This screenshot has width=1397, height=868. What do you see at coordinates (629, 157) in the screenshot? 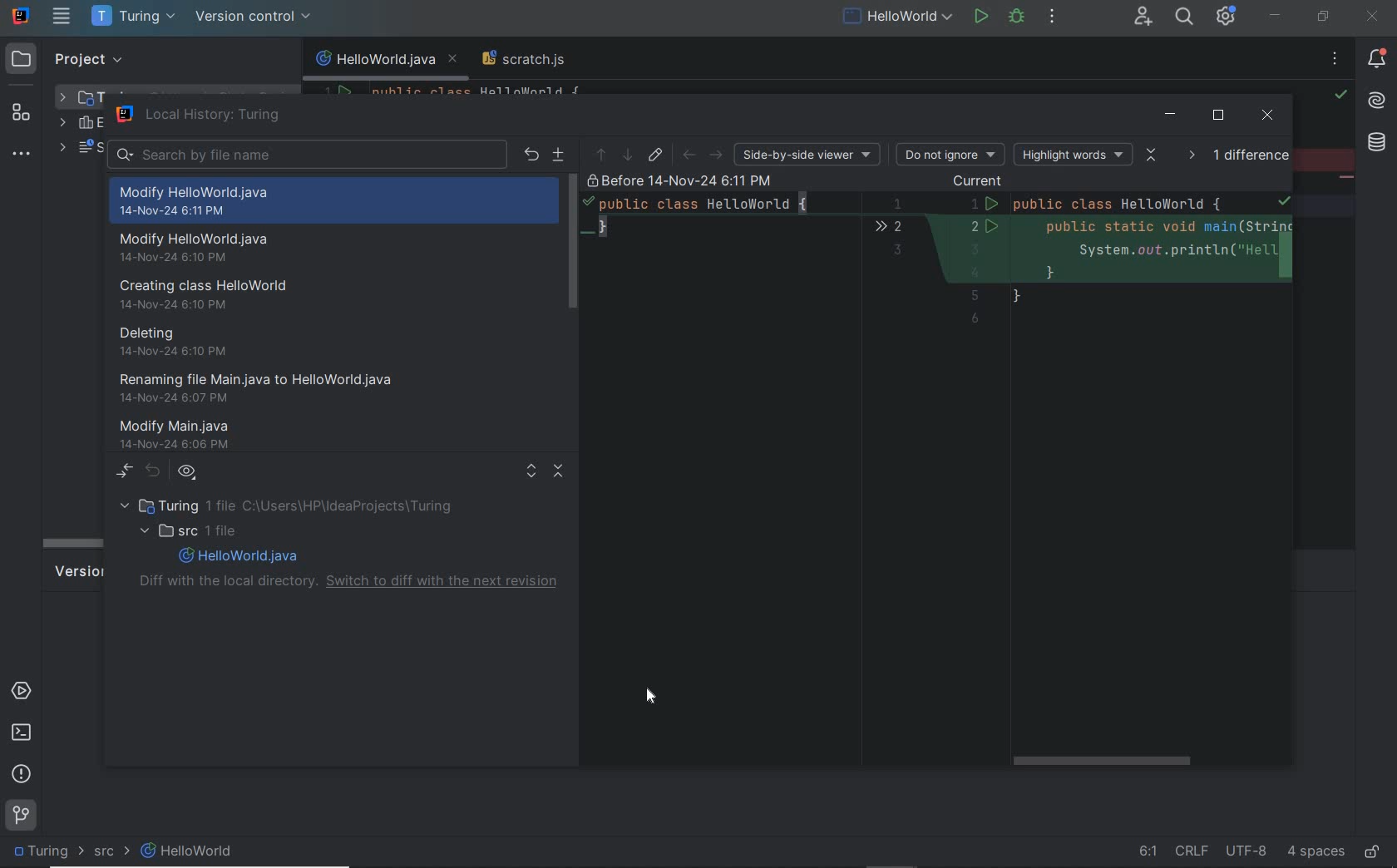
I see `next differences` at bounding box center [629, 157].